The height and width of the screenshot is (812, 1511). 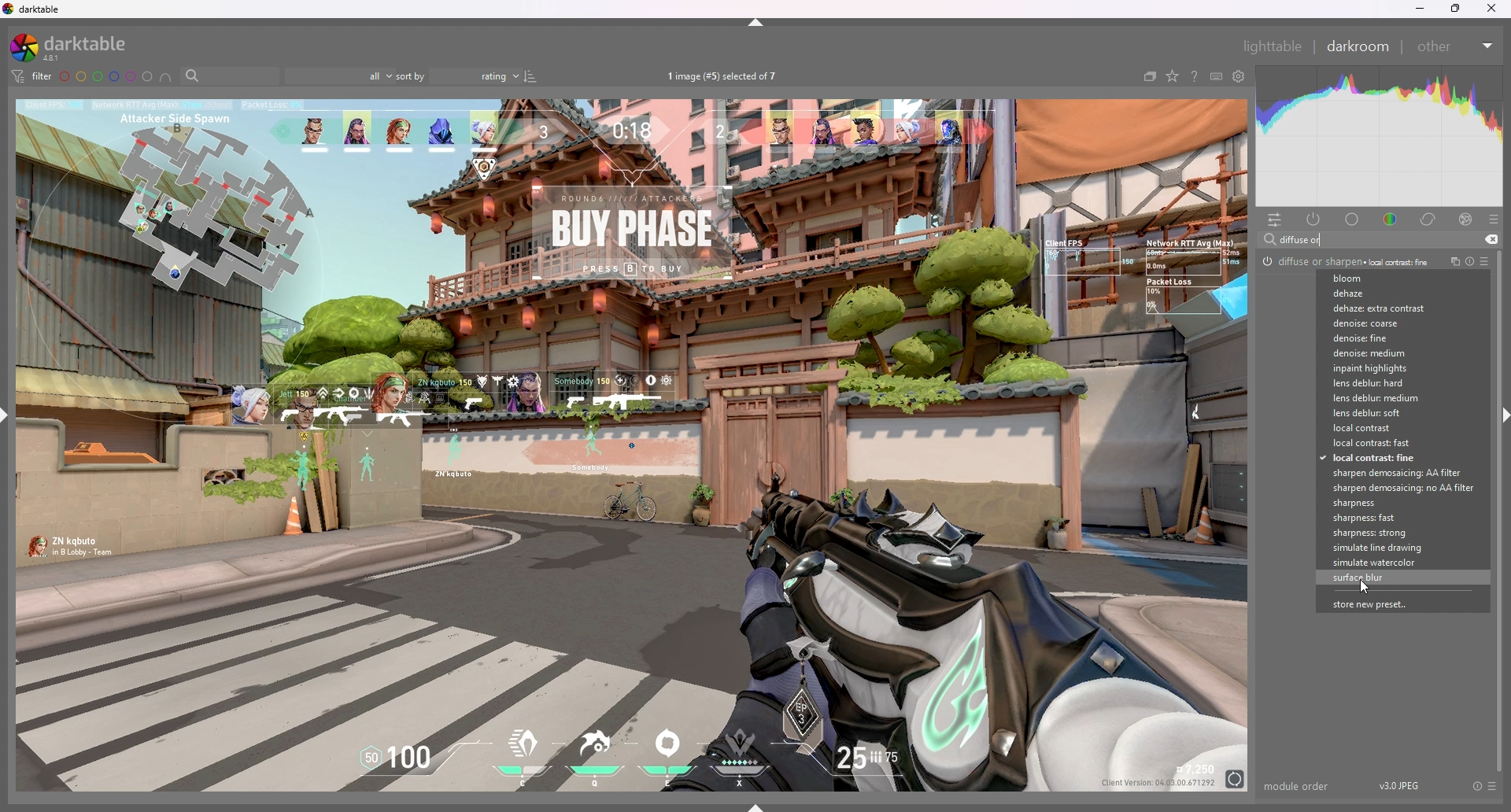 I want to click on input, so click(x=1305, y=239).